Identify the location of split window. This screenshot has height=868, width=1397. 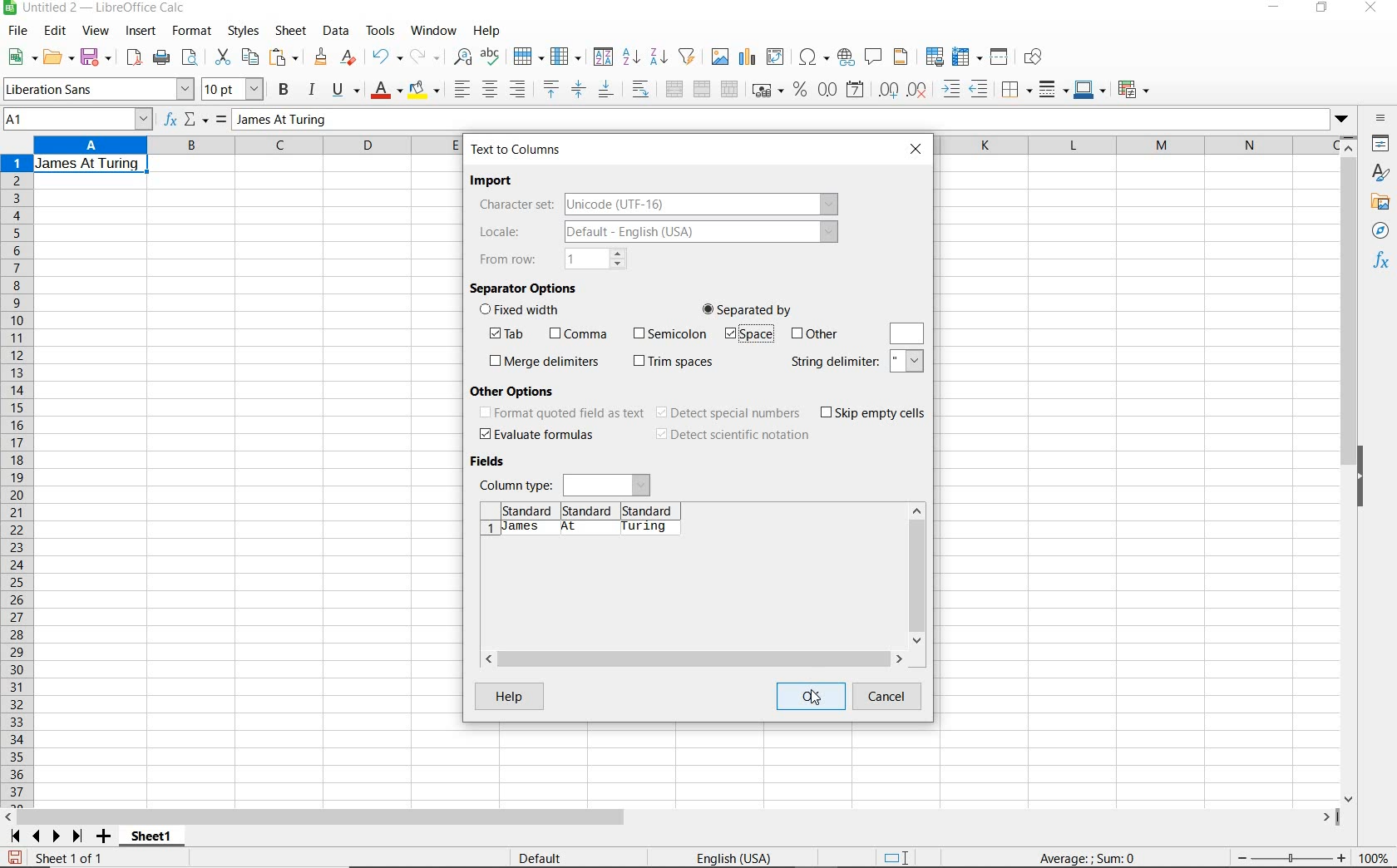
(1000, 57).